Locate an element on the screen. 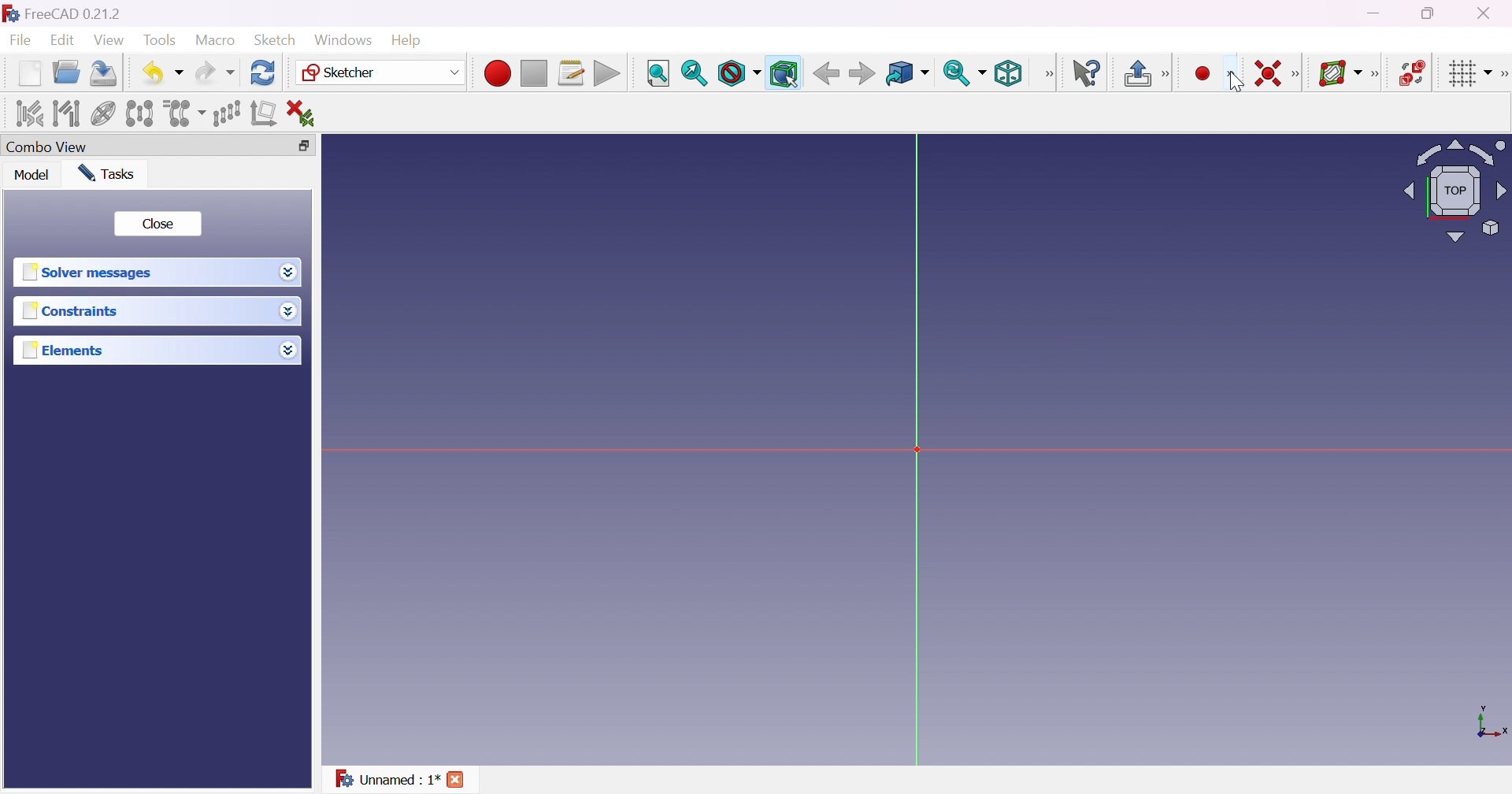 The image size is (1512, 794). Edit is located at coordinates (61, 42).